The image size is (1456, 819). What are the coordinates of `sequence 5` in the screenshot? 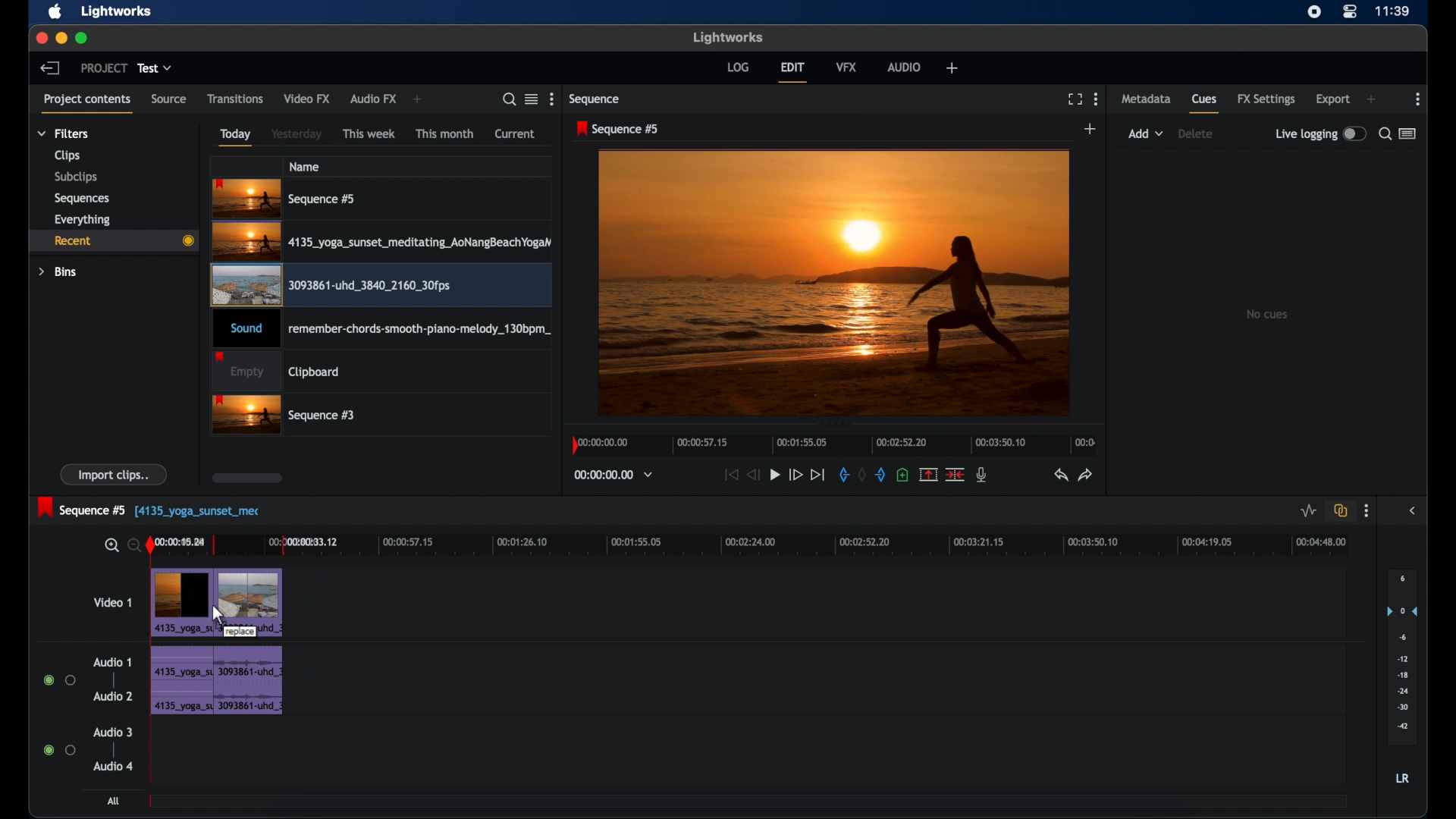 It's located at (618, 129).